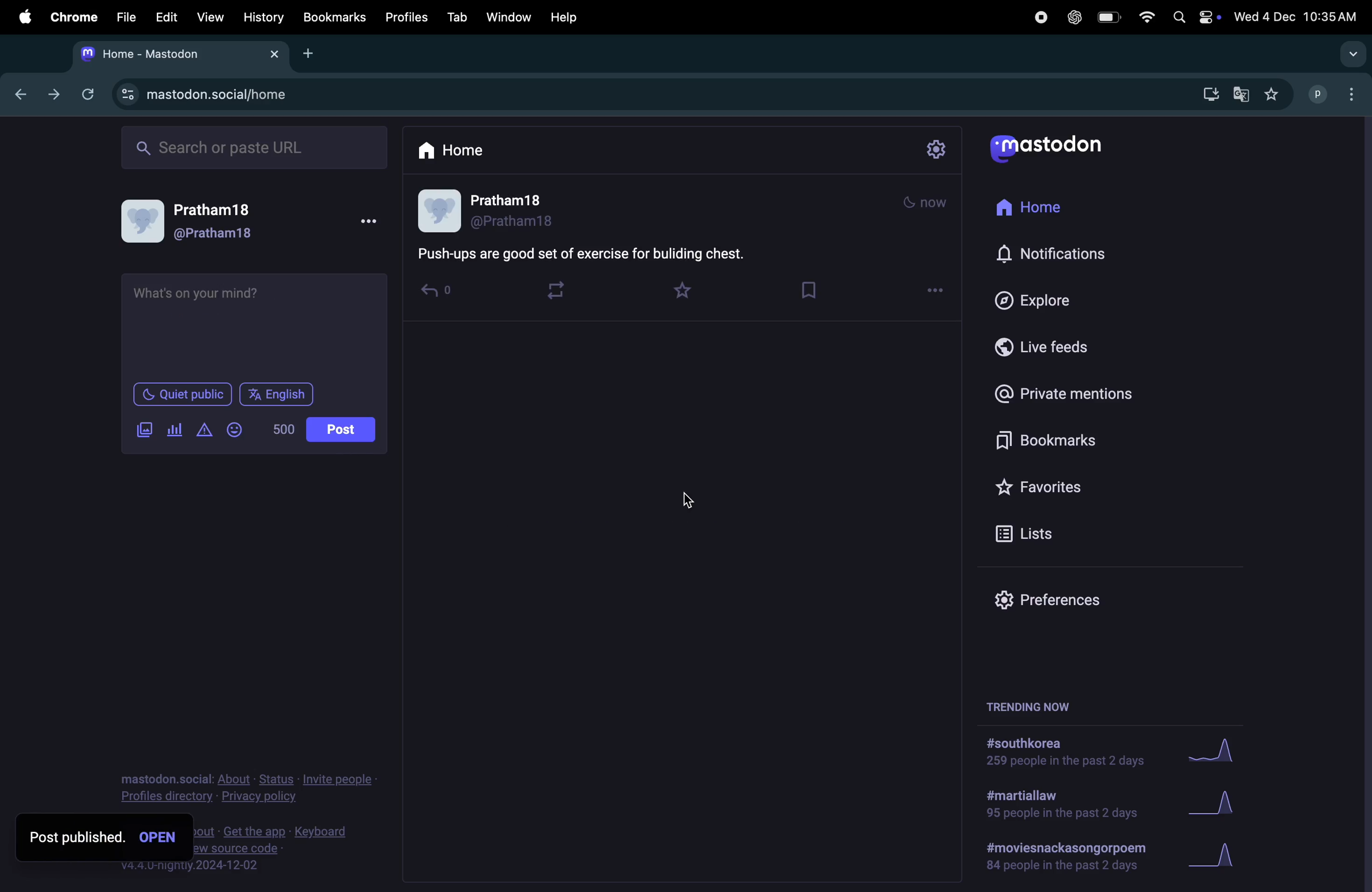 Image resolution: width=1372 pixels, height=892 pixels. I want to click on Home, so click(460, 149).